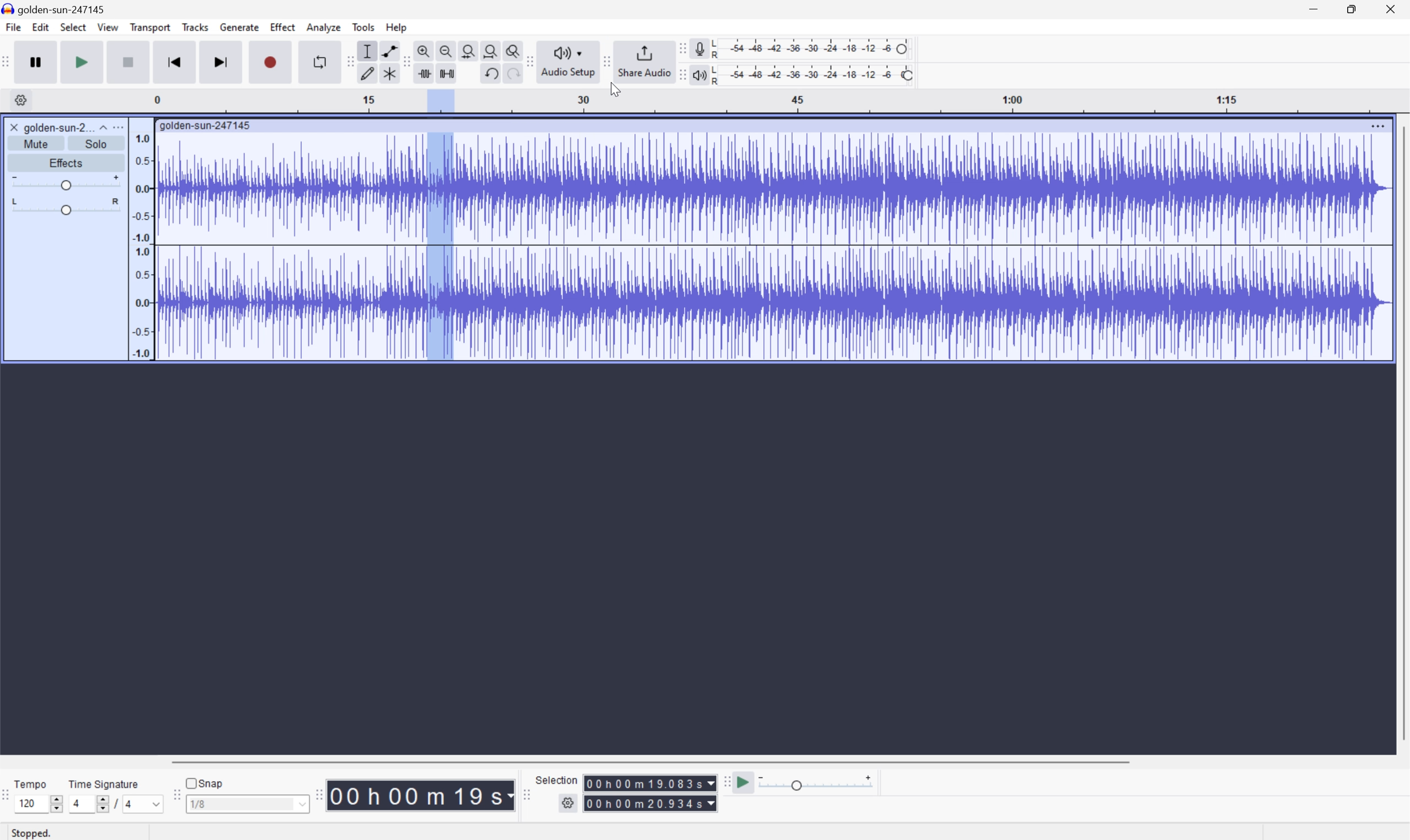  Describe the element at coordinates (40, 143) in the screenshot. I see `Mute` at that location.